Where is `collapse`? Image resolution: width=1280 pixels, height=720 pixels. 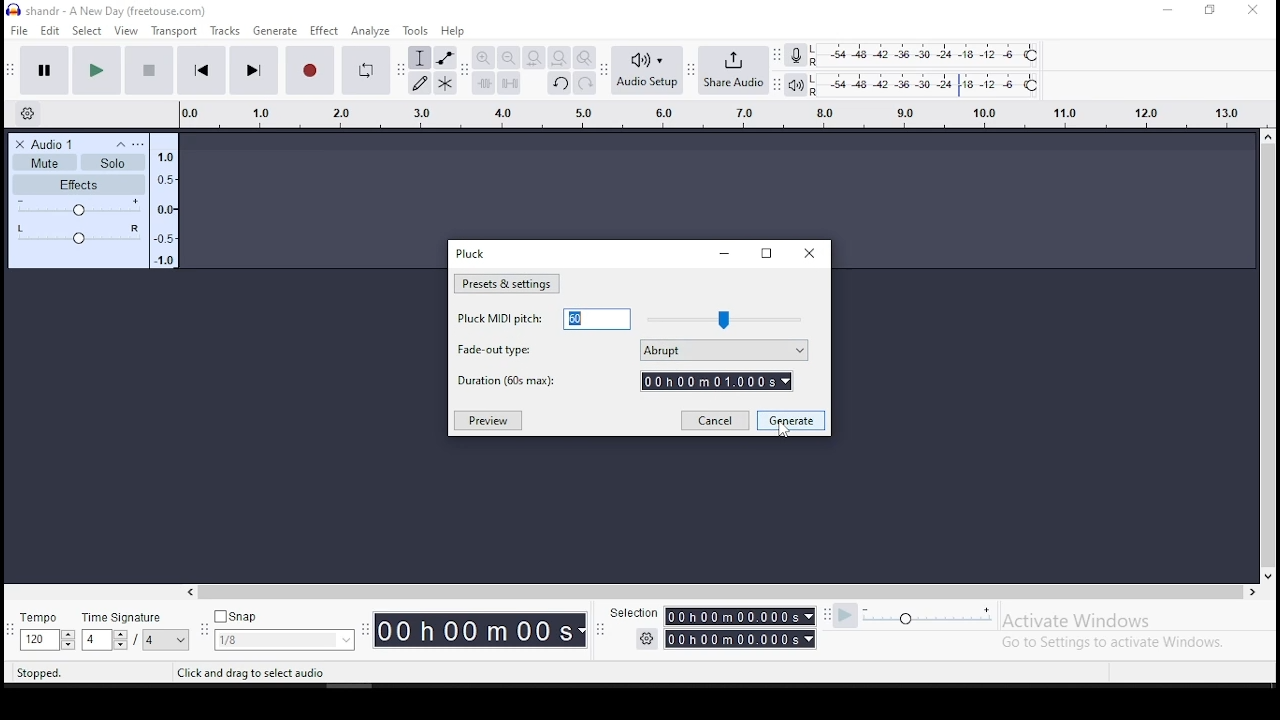 collapse is located at coordinates (121, 143).